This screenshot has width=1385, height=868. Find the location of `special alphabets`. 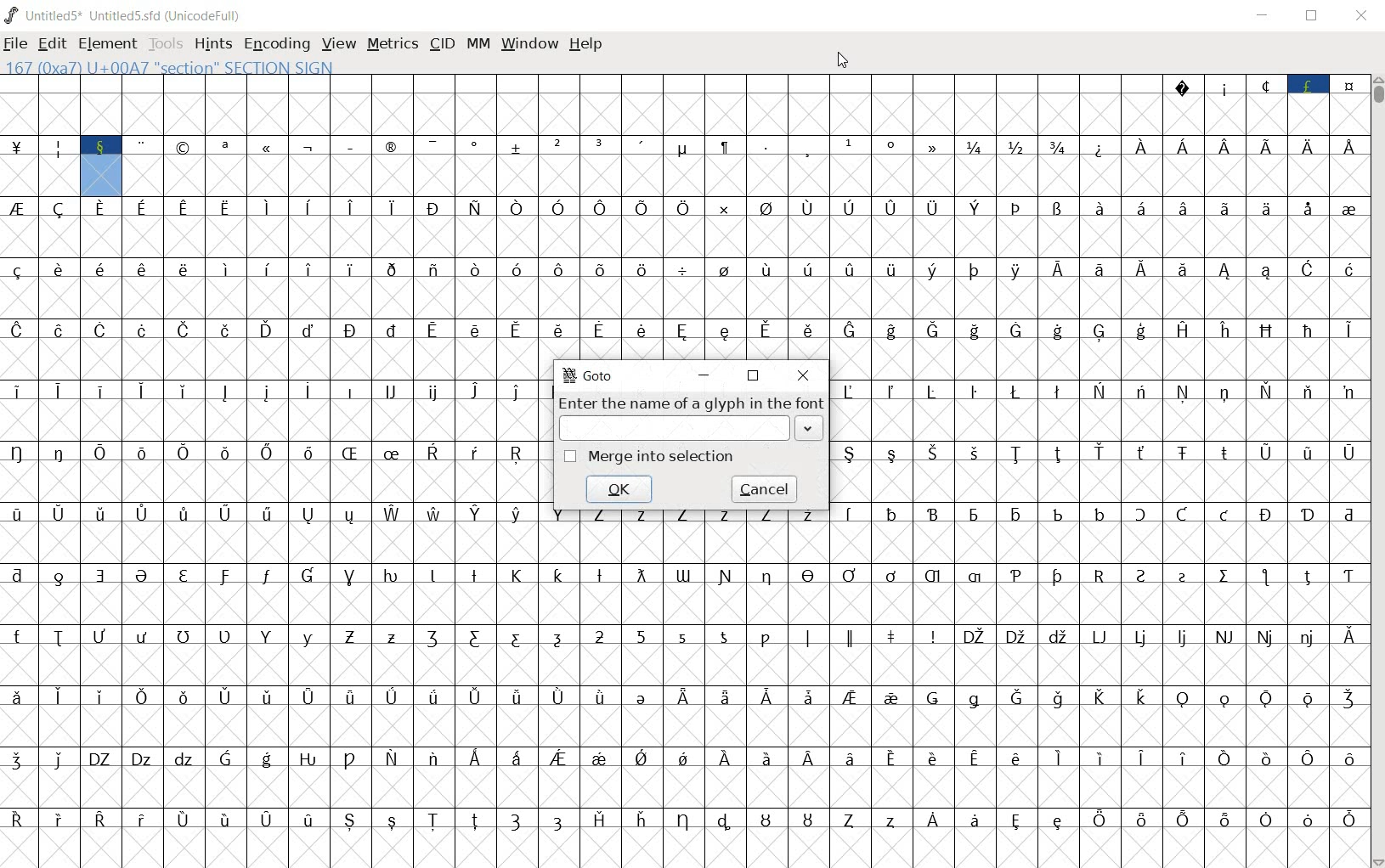

special alphabets is located at coordinates (540, 656).